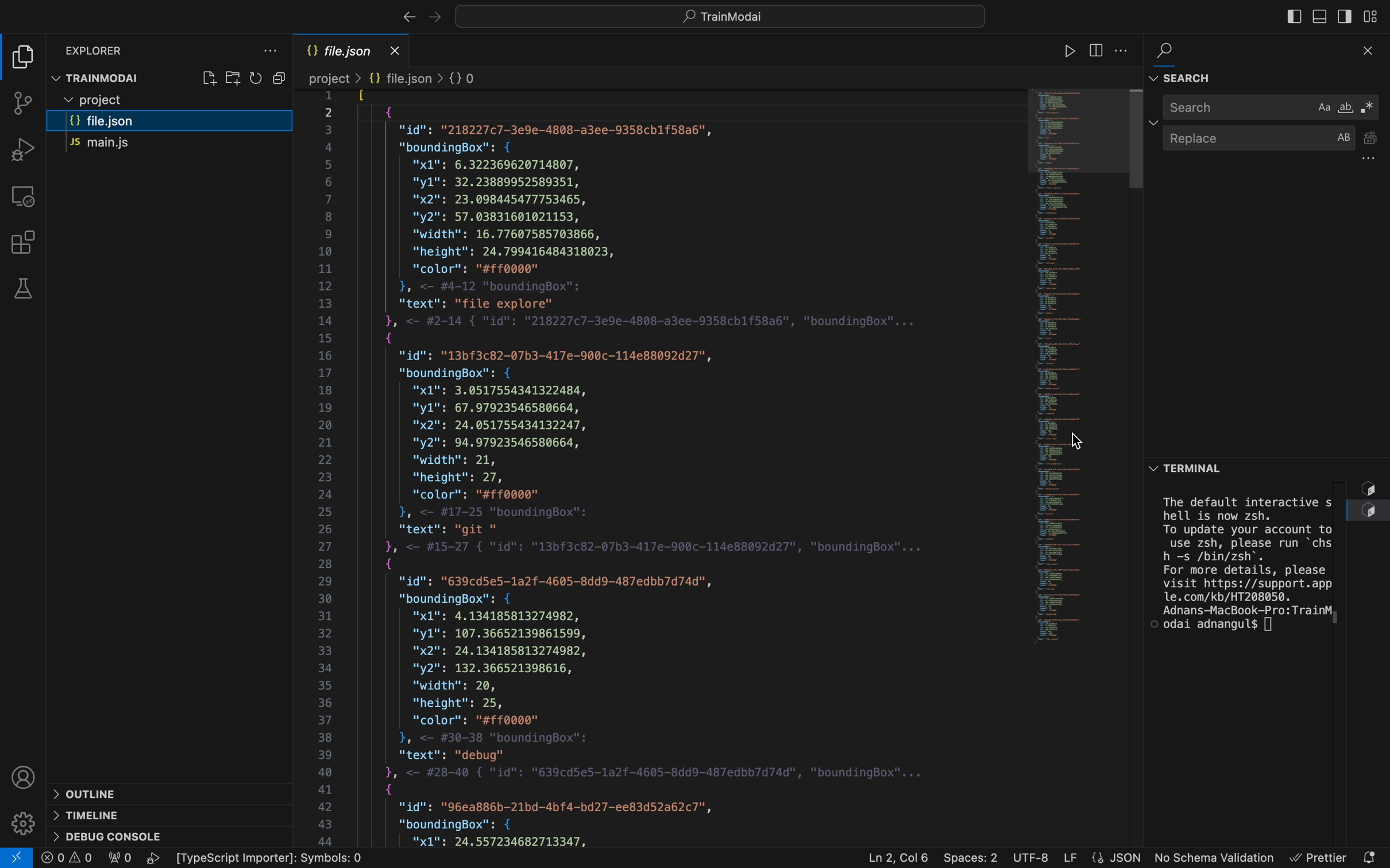  What do you see at coordinates (401, 78) in the screenshot?
I see `Breadcrumb` at bounding box center [401, 78].